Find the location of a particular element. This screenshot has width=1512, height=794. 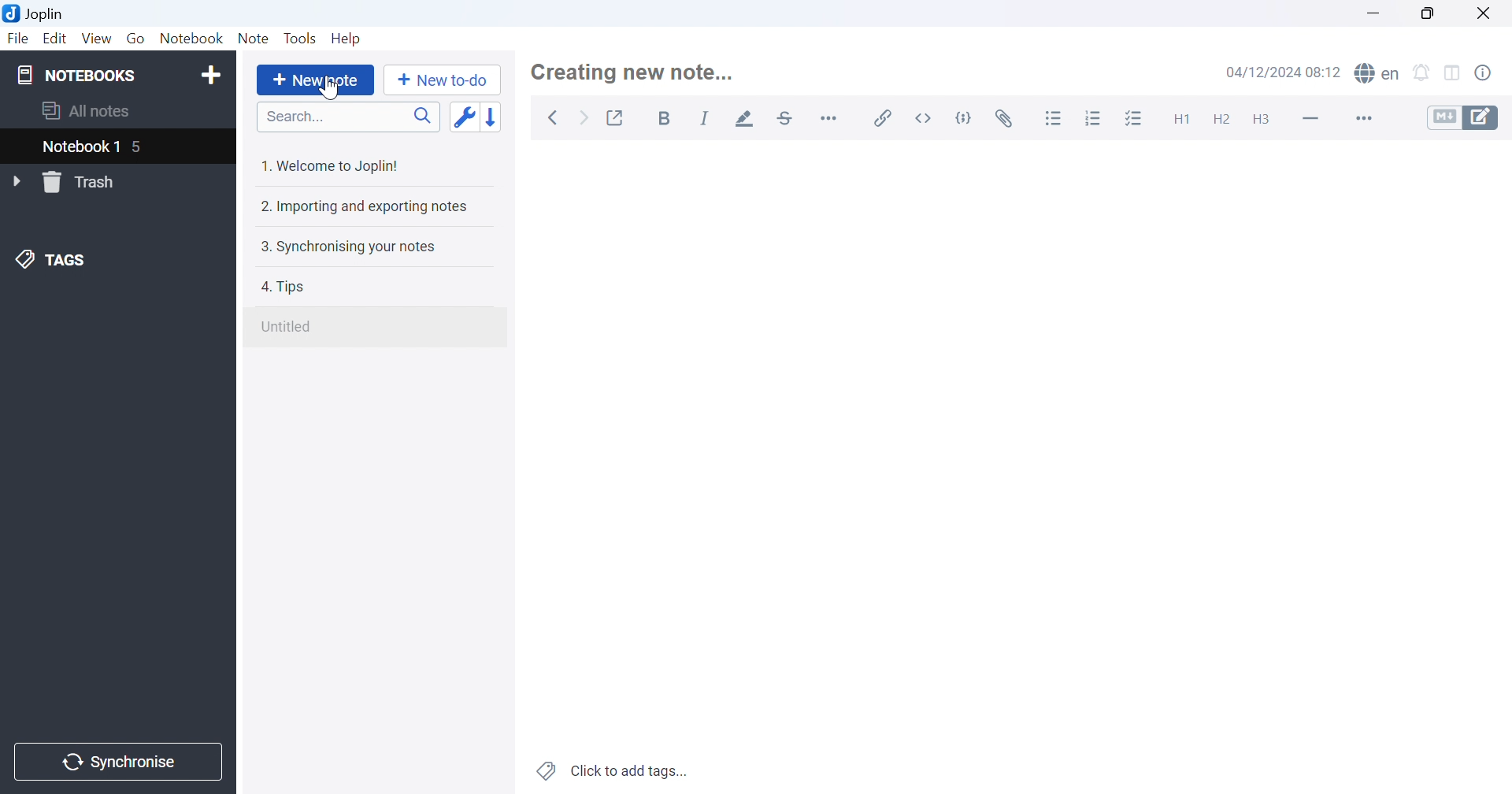

Toggle editors is located at coordinates (1464, 118).